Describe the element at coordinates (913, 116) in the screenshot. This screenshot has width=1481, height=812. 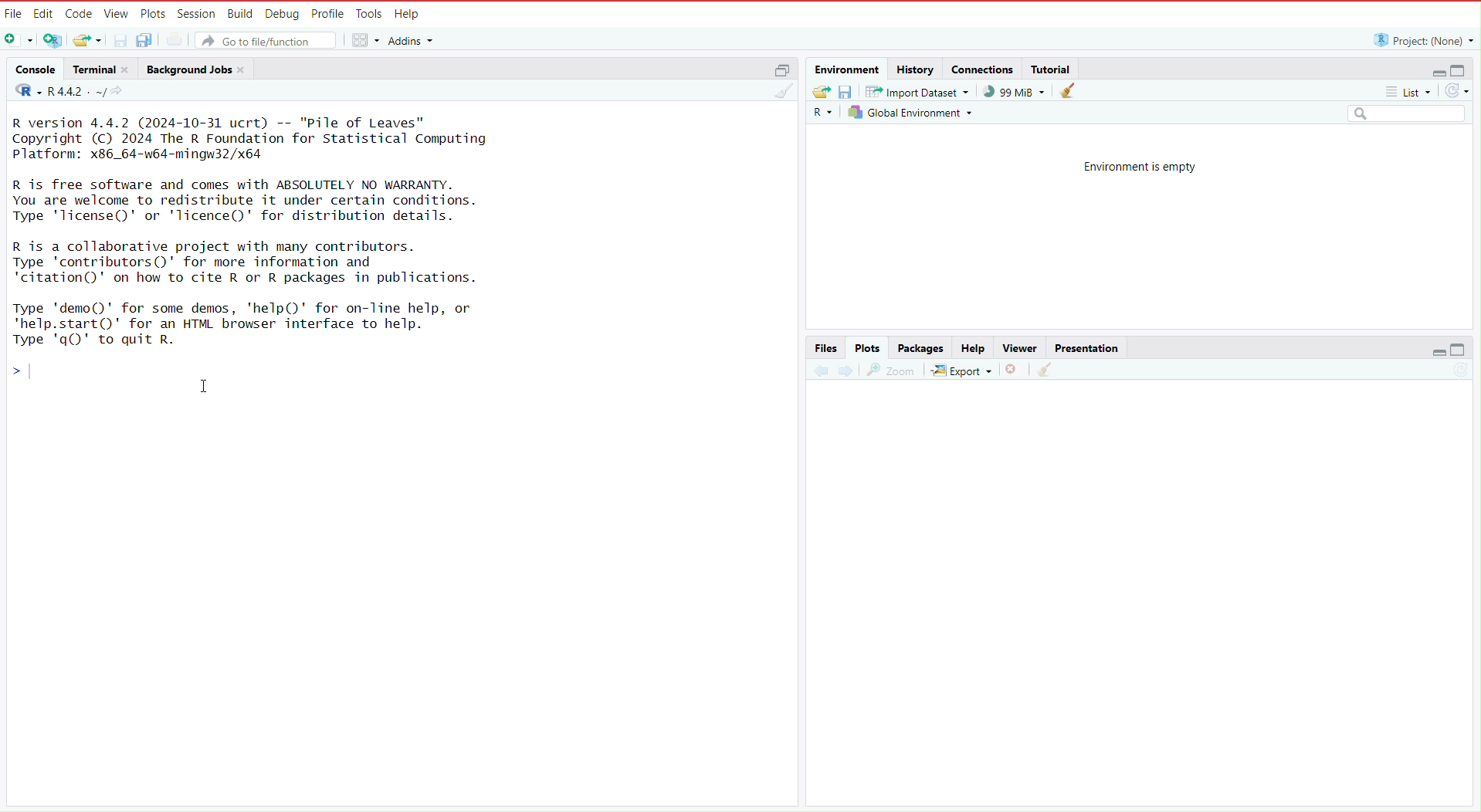
I see `global environment` at that location.